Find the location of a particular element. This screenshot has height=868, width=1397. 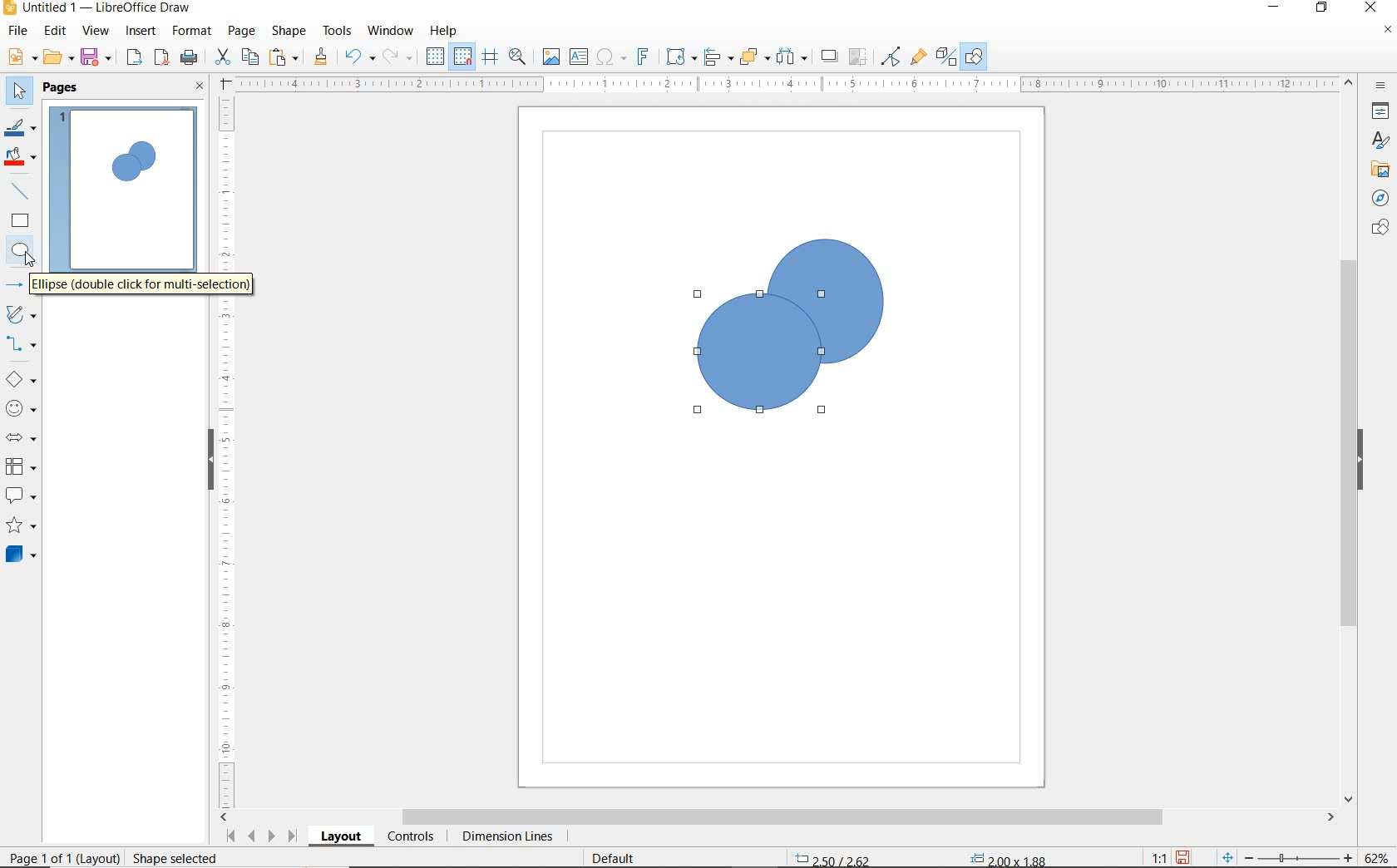

CIRCLE ADDED is located at coordinates (125, 167).